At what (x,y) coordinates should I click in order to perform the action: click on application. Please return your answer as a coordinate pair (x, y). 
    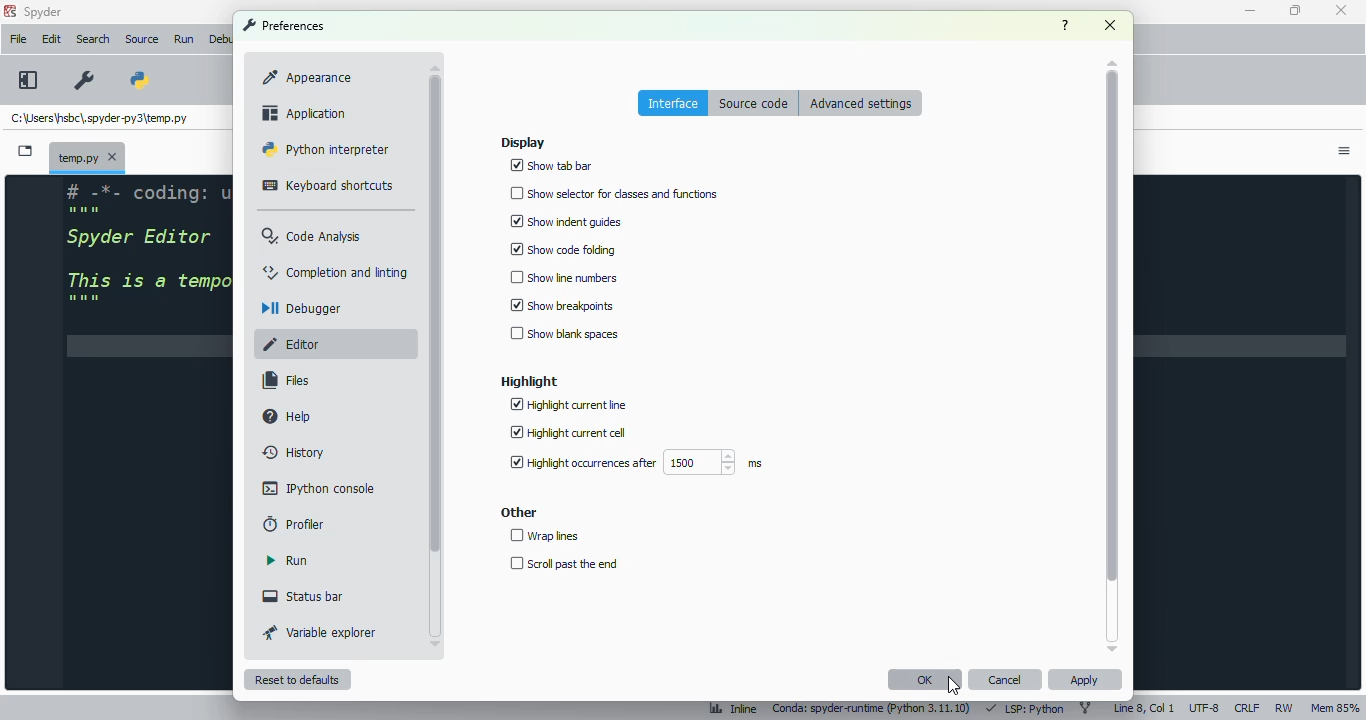
    Looking at the image, I should click on (306, 113).